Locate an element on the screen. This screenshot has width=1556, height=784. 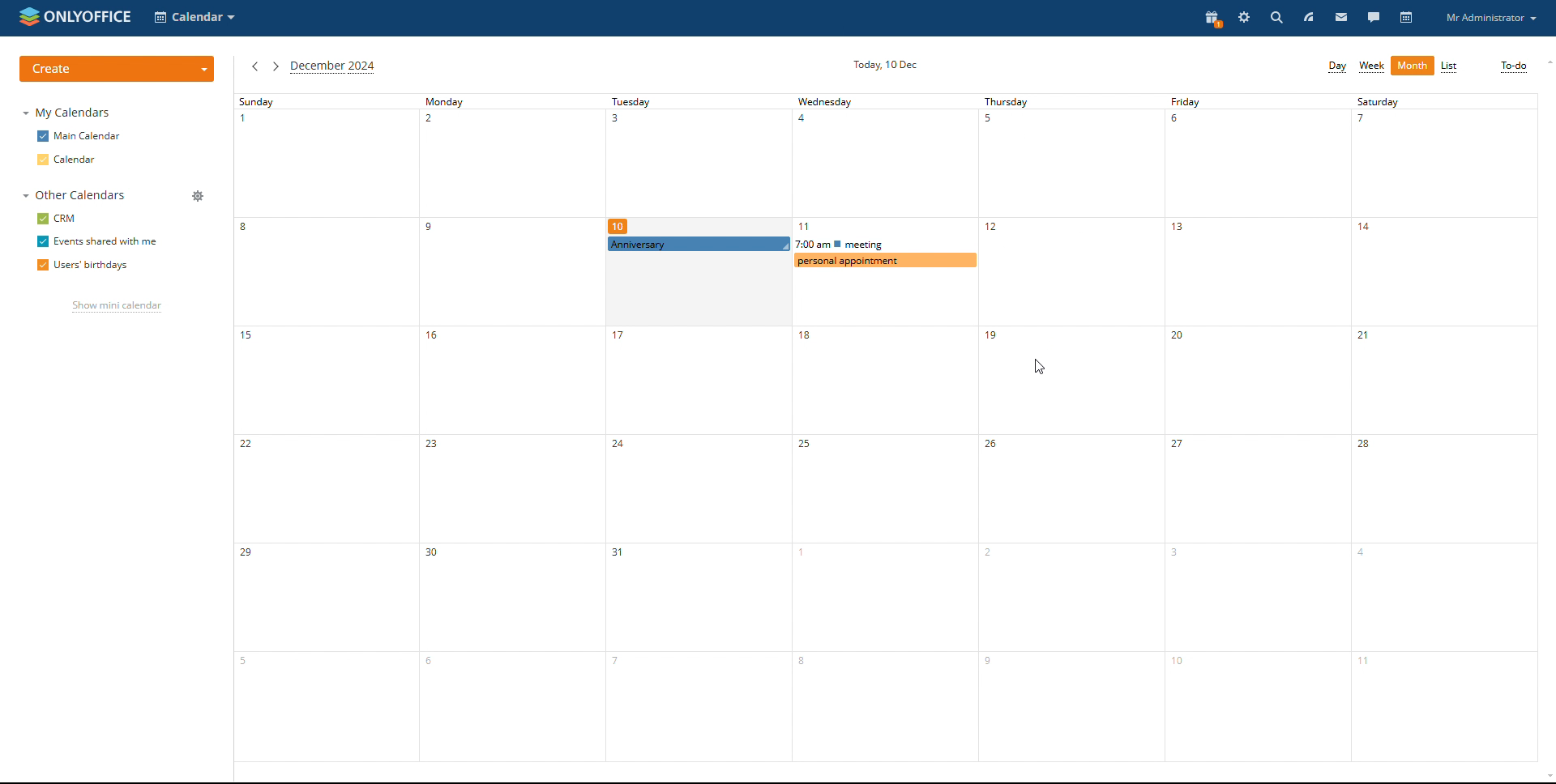
users' birthdays is located at coordinates (83, 266).